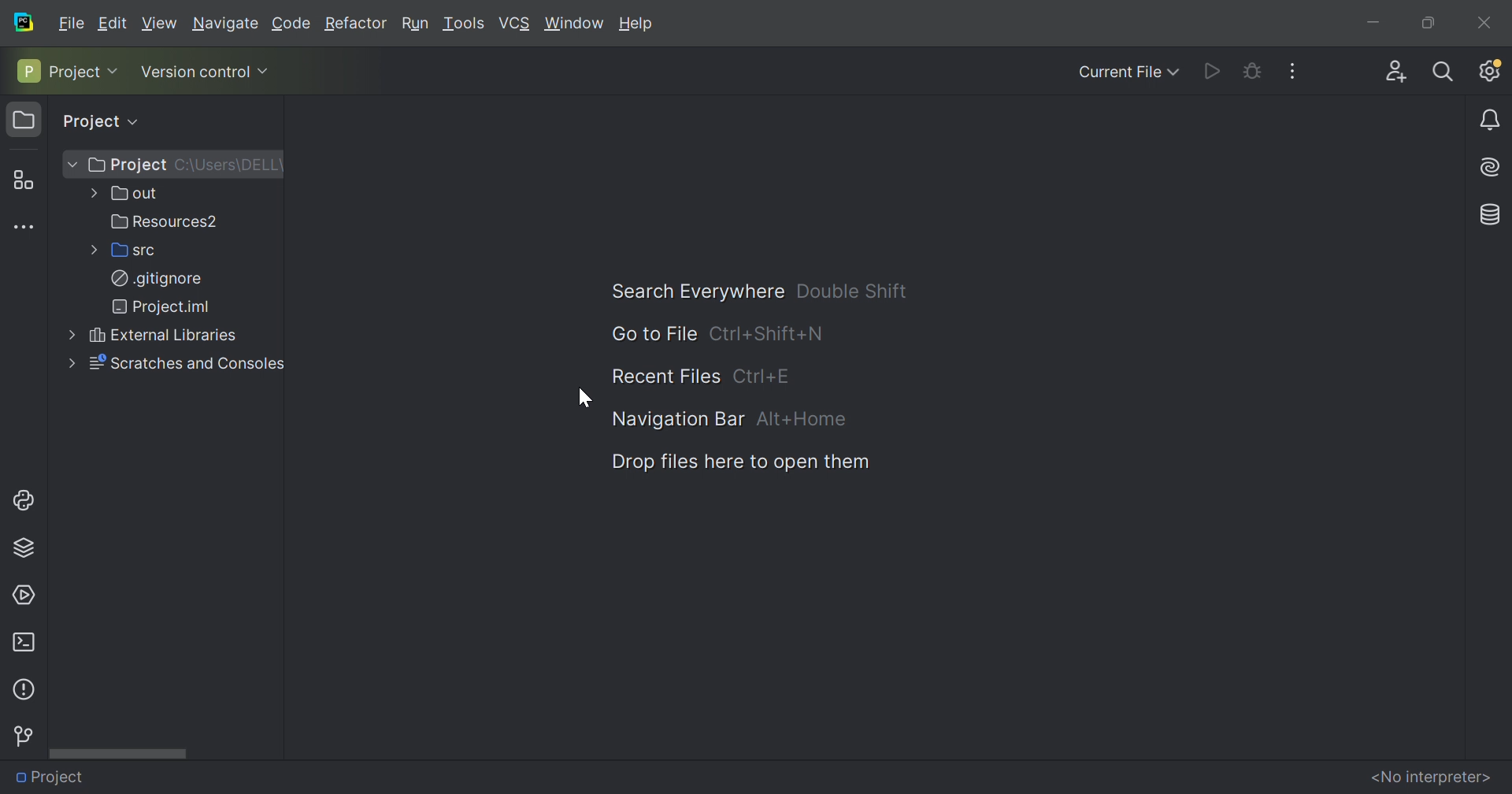 The height and width of the screenshot is (794, 1512). I want to click on C:\Users\DELL, so click(230, 164).